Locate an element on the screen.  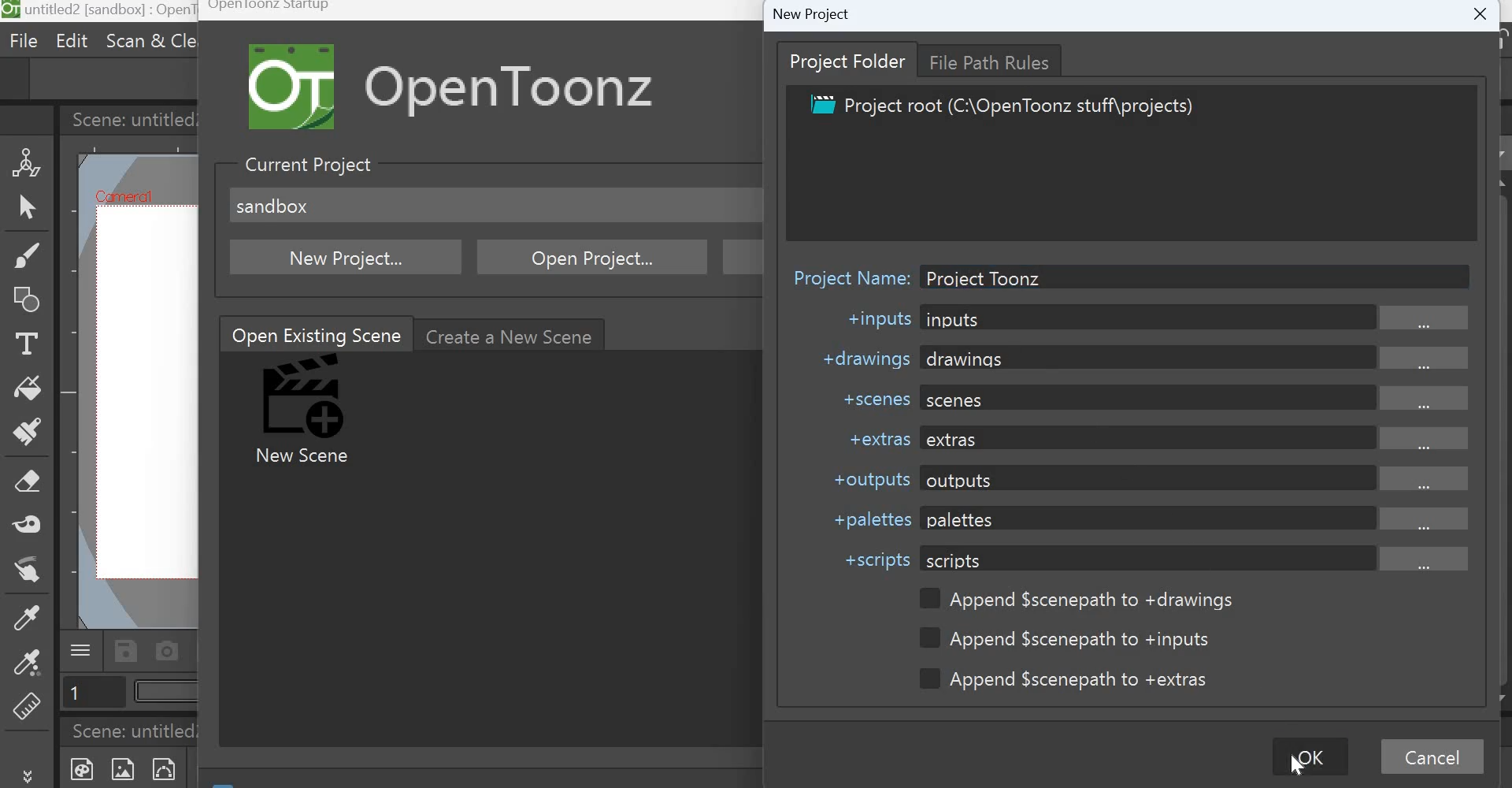
Brush tool is located at coordinates (26, 255).